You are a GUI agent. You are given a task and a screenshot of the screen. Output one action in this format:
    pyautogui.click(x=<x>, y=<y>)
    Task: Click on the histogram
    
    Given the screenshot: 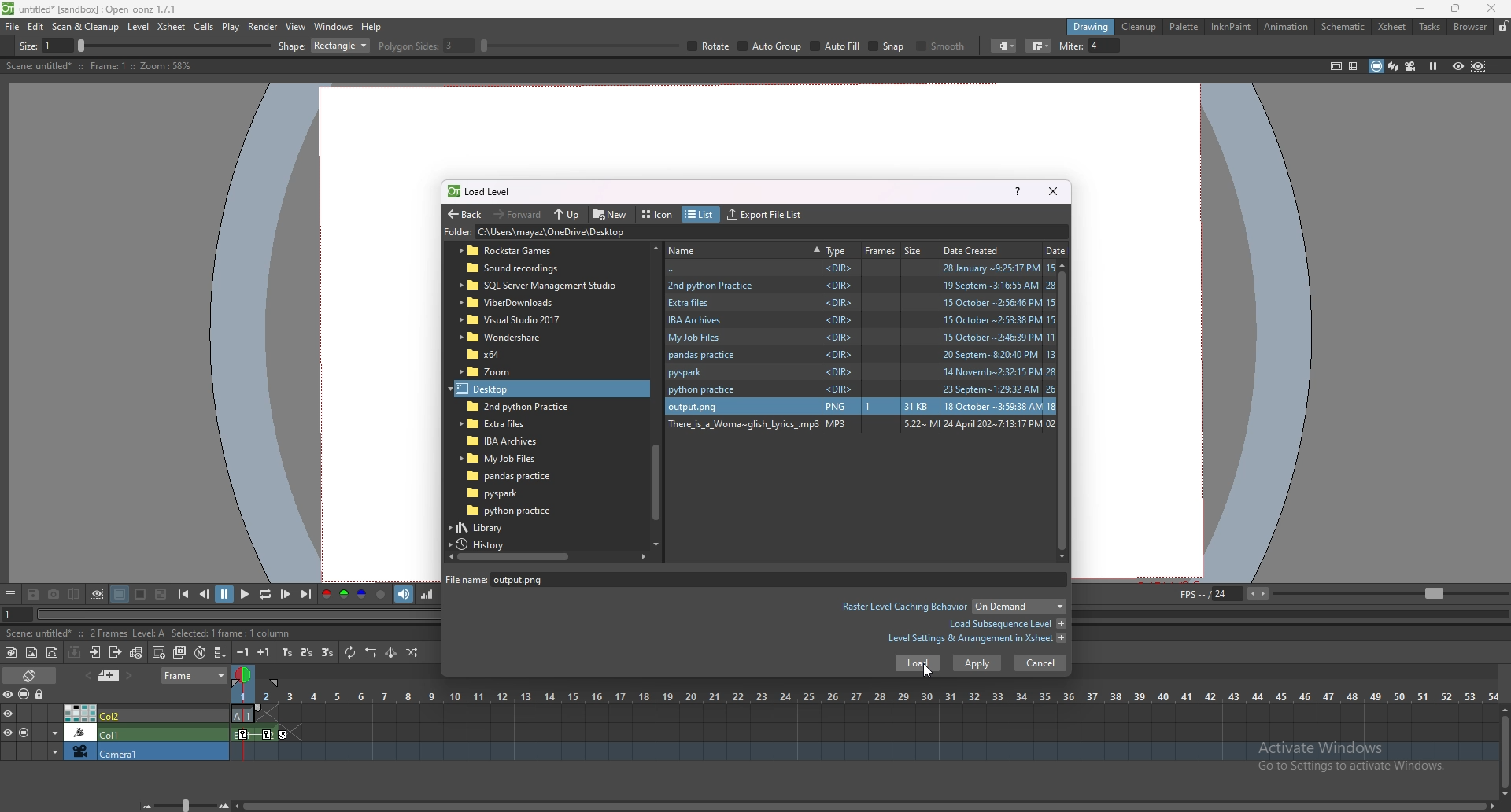 What is the action you would take?
    pyautogui.click(x=427, y=594)
    